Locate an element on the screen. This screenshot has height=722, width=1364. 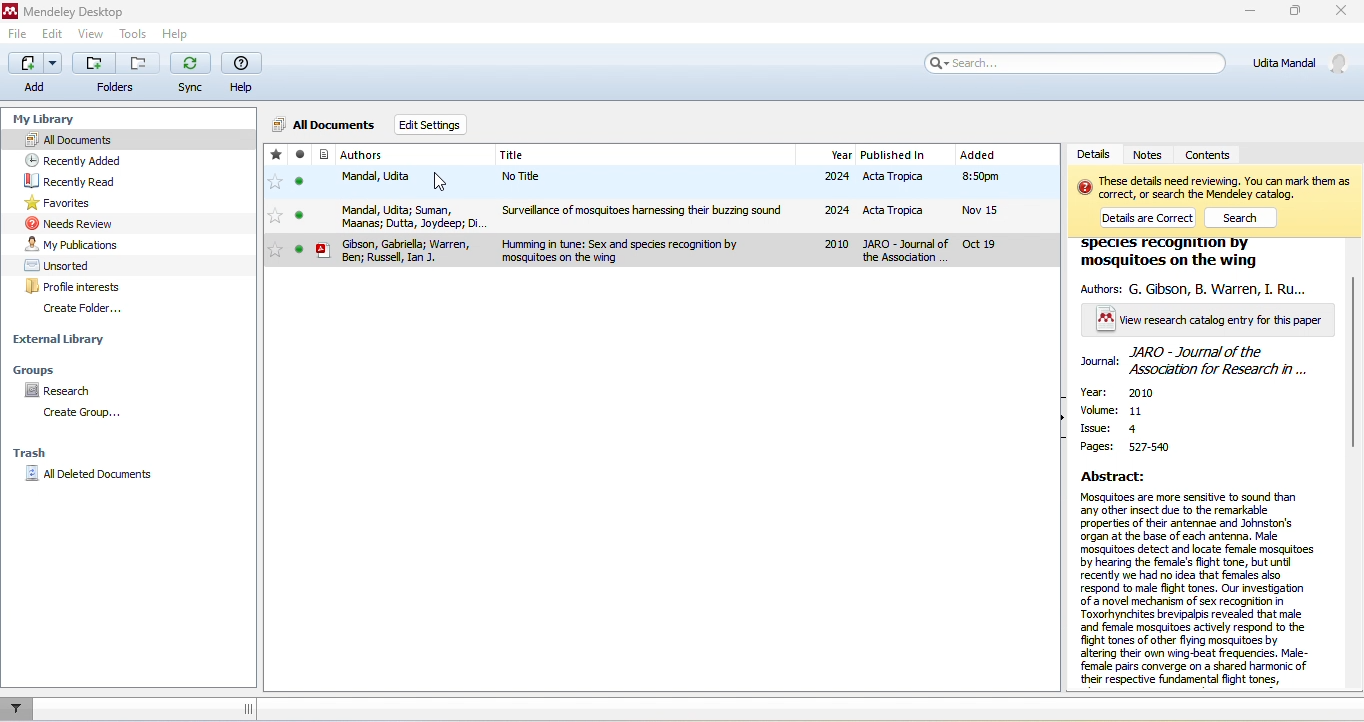
authors: g gibson, b warren, i ru is located at coordinates (1202, 289).